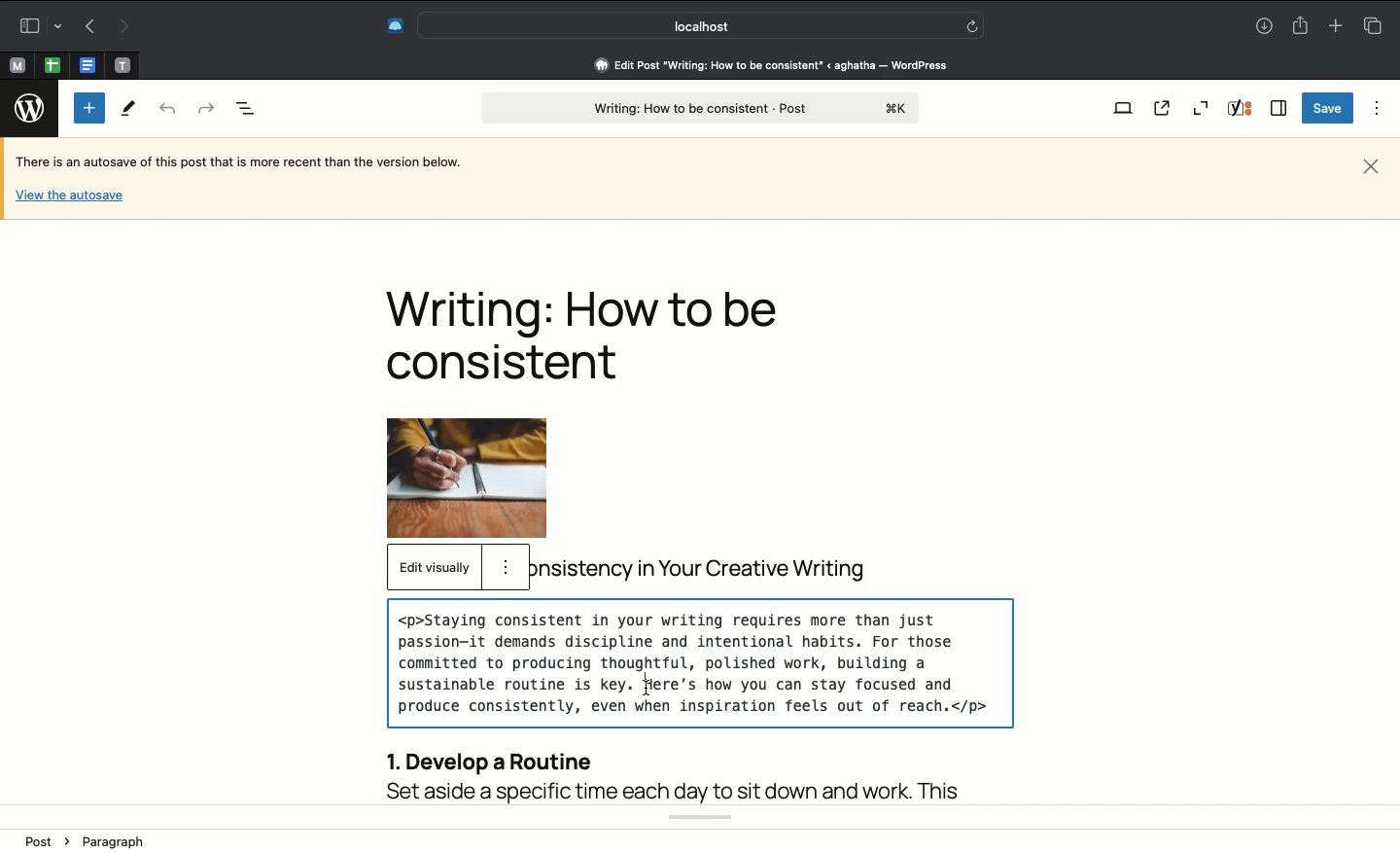  Describe the element at coordinates (1242, 110) in the screenshot. I see `Yoast` at that location.